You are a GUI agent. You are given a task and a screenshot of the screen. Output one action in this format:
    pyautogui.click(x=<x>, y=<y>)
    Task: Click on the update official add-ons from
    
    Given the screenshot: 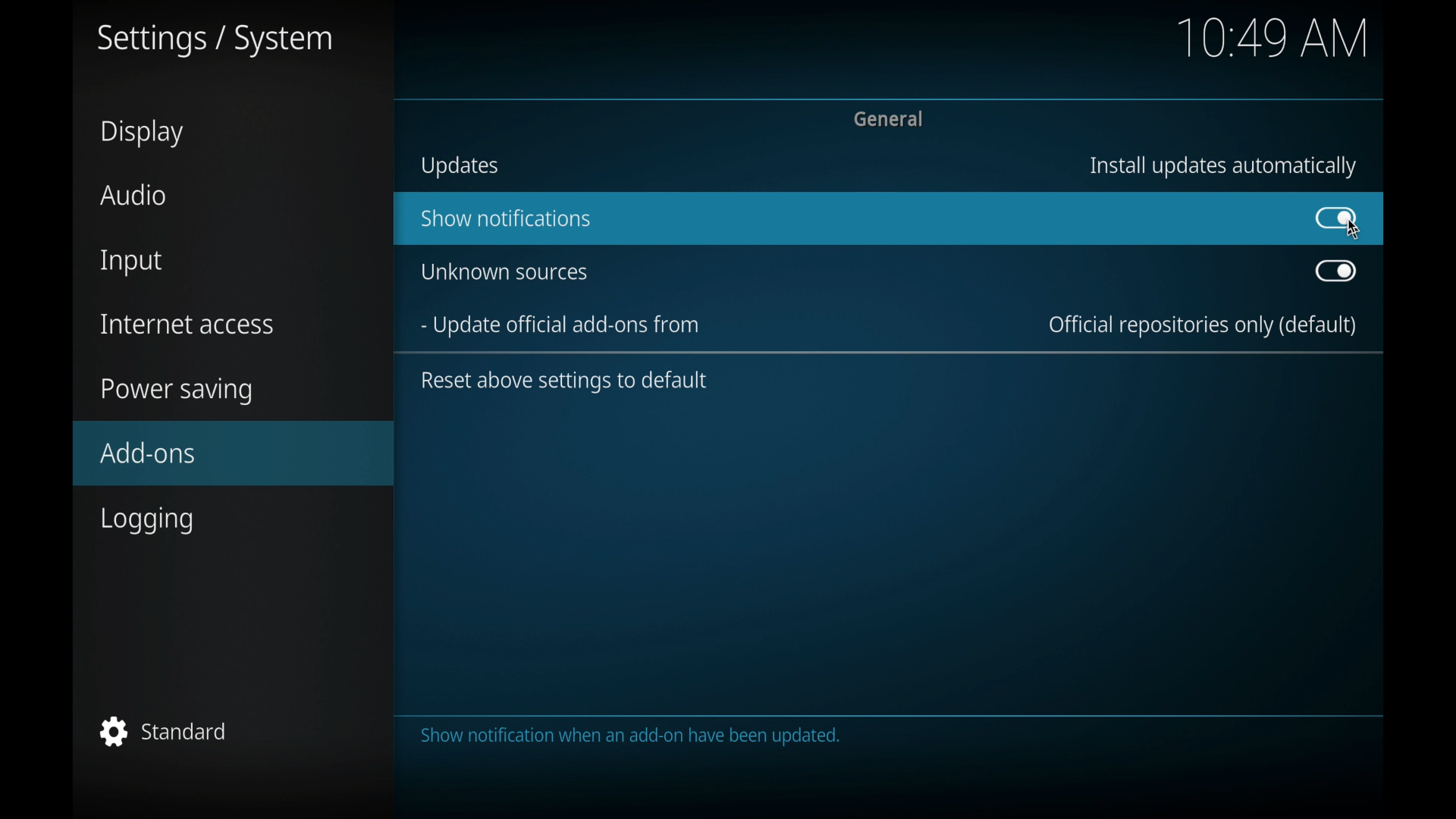 What is the action you would take?
    pyautogui.click(x=558, y=327)
    